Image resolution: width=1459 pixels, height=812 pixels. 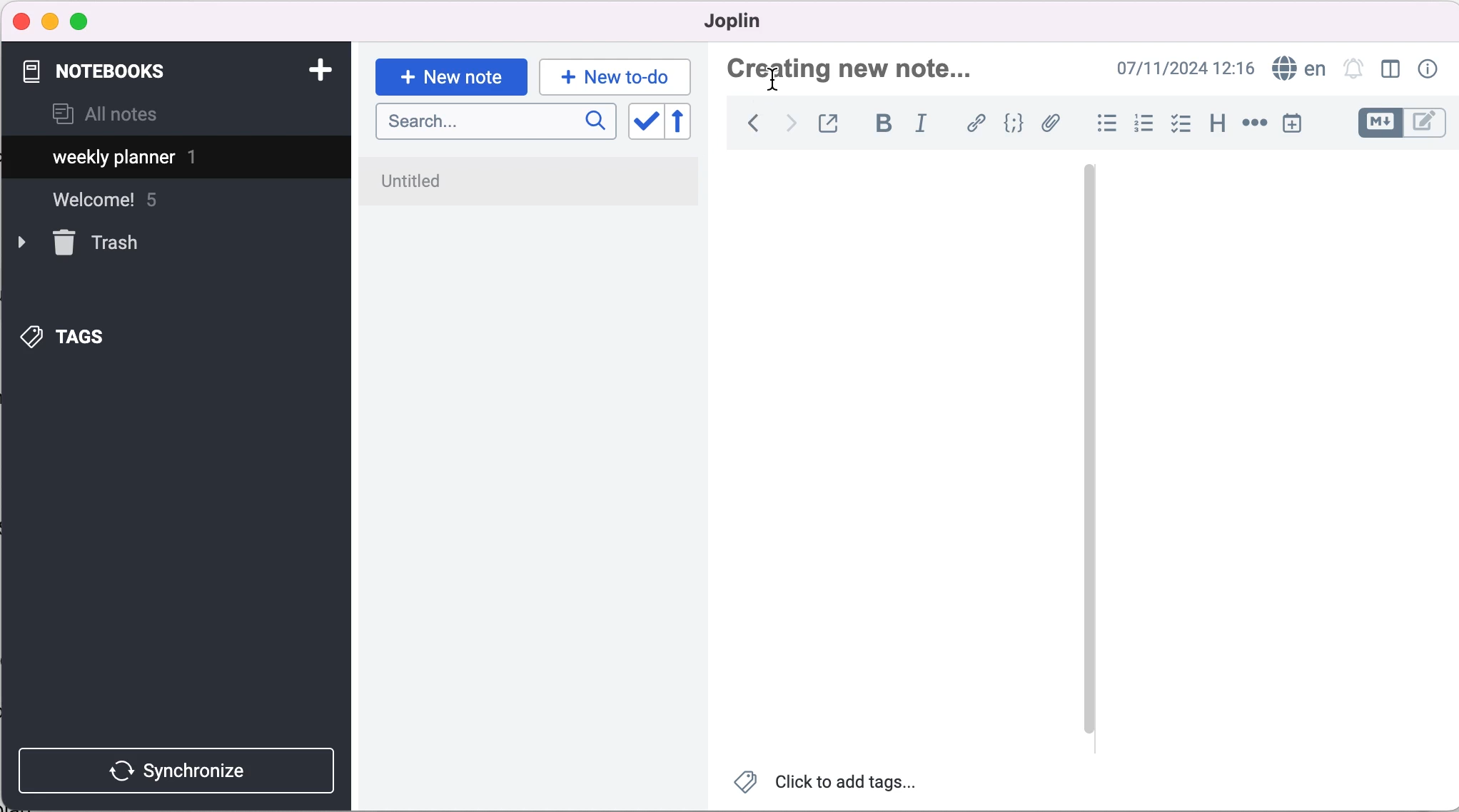 What do you see at coordinates (1051, 126) in the screenshot?
I see `add file` at bounding box center [1051, 126].